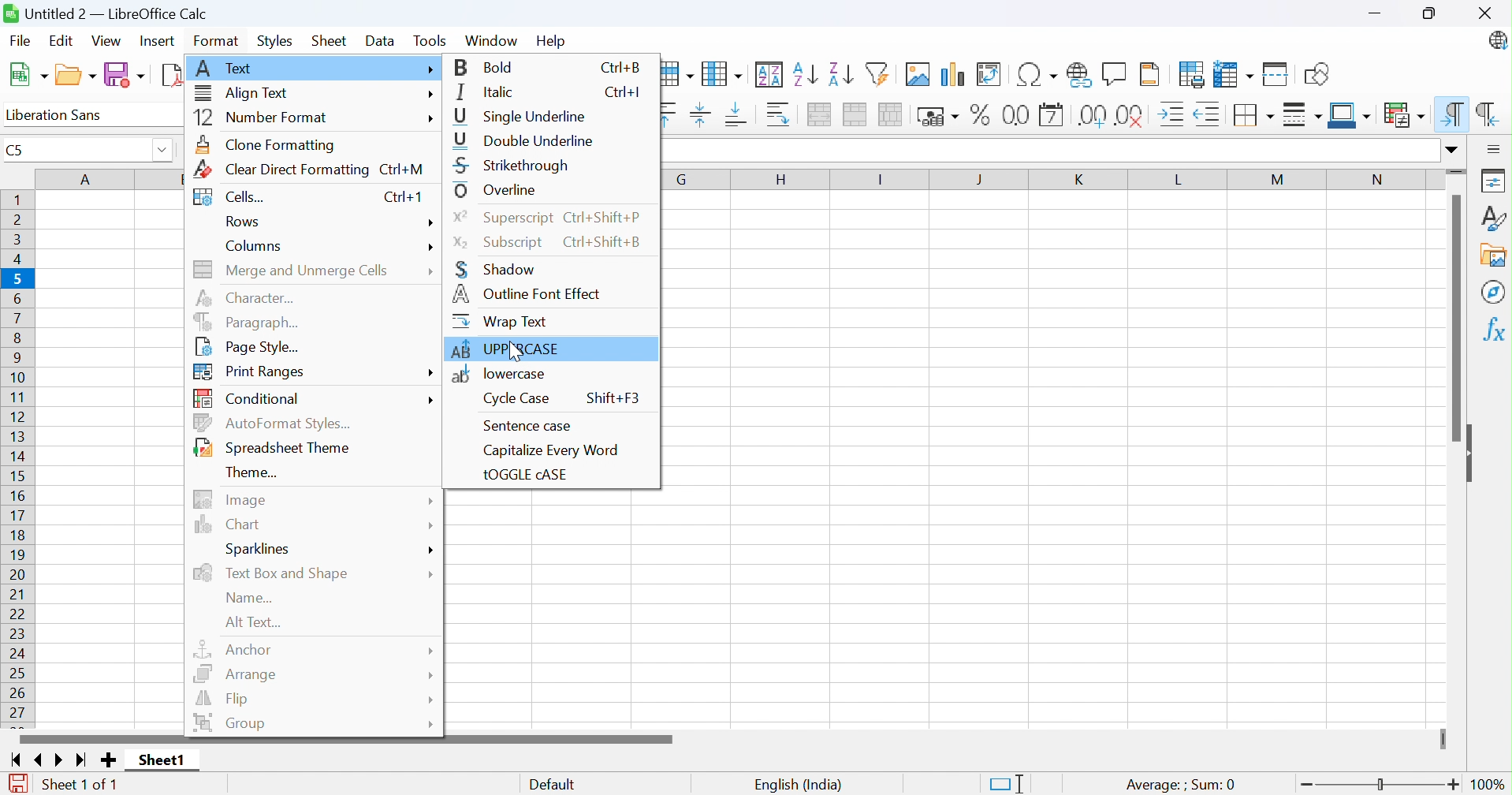  Describe the element at coordinates (255, 622) in the screenshot. I see `Alt text` at that location.